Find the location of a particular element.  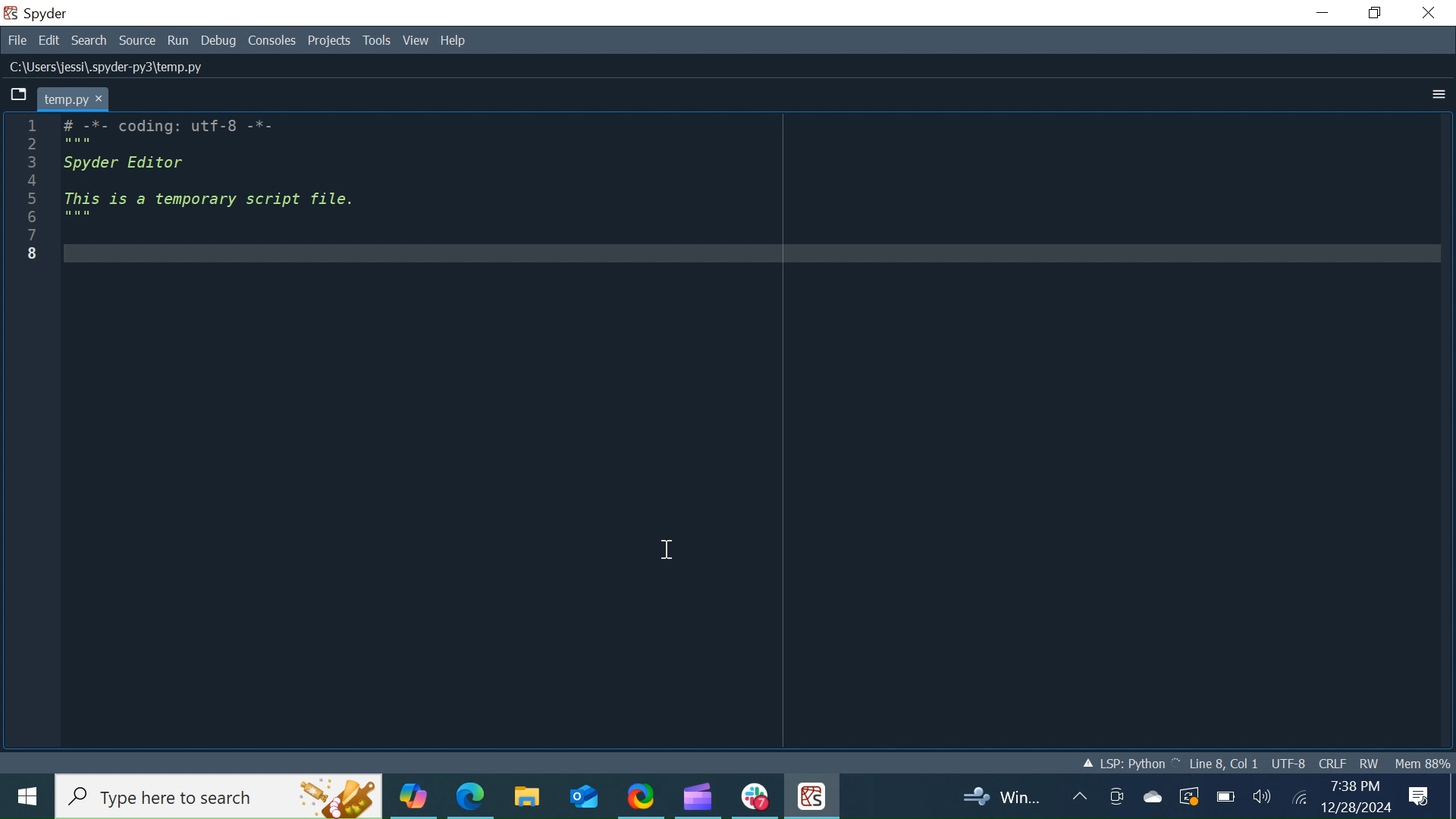

More Options is located at coordinates (1437, 94).